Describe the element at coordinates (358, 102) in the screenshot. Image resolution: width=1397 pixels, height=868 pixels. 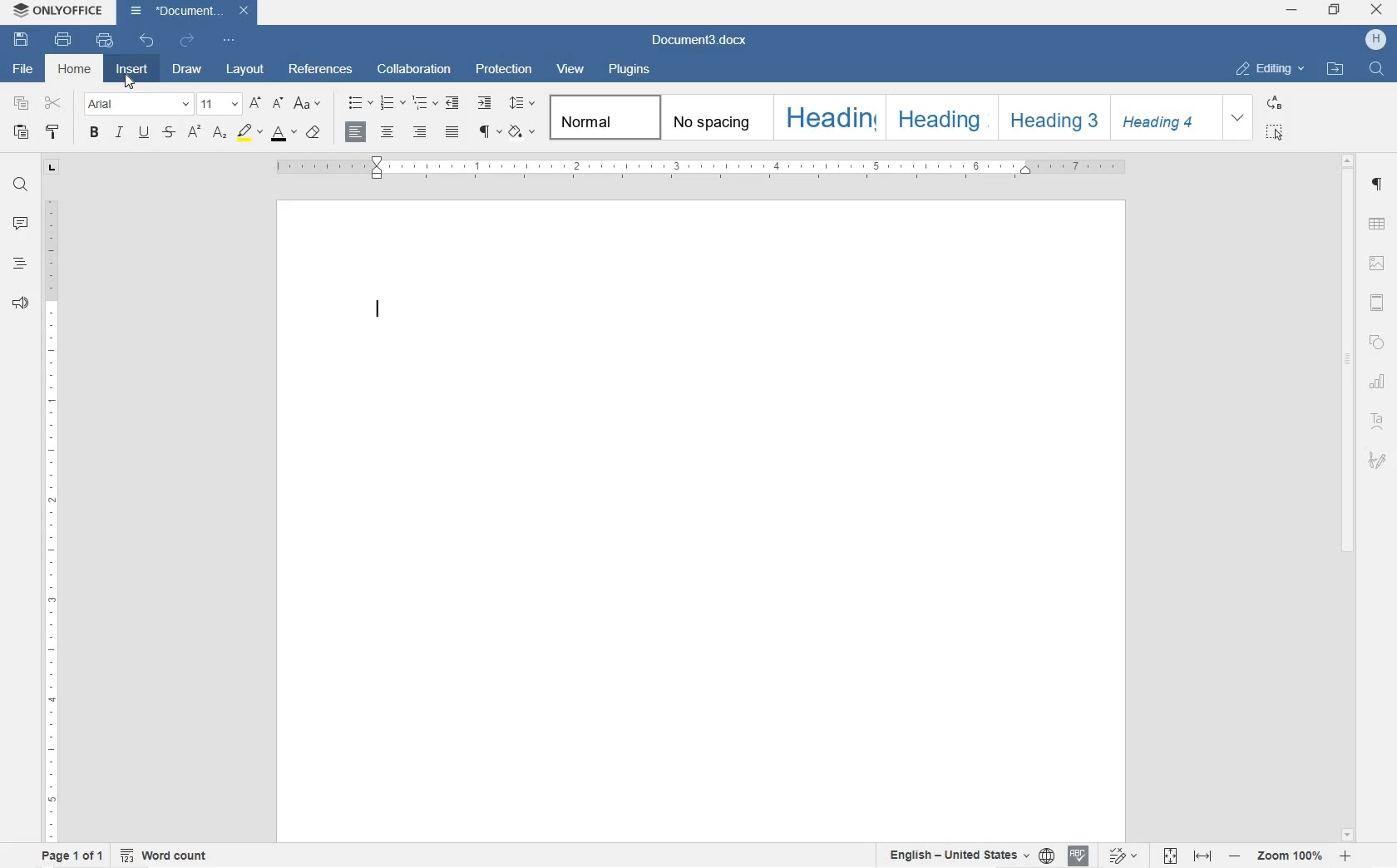
I see `BULLETS` at that location.